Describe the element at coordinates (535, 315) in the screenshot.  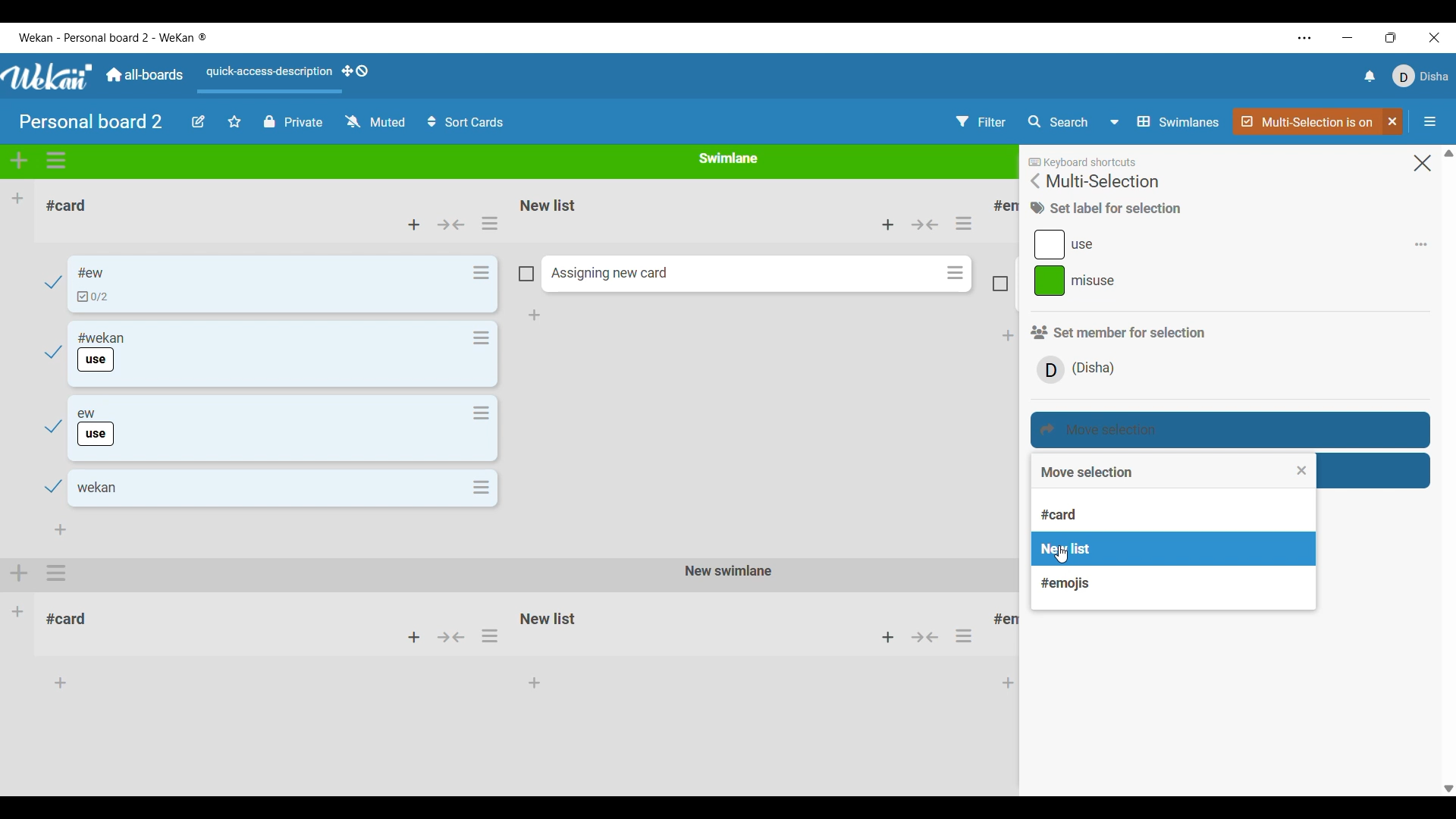
I see `Add card to bottom of list` at that location.